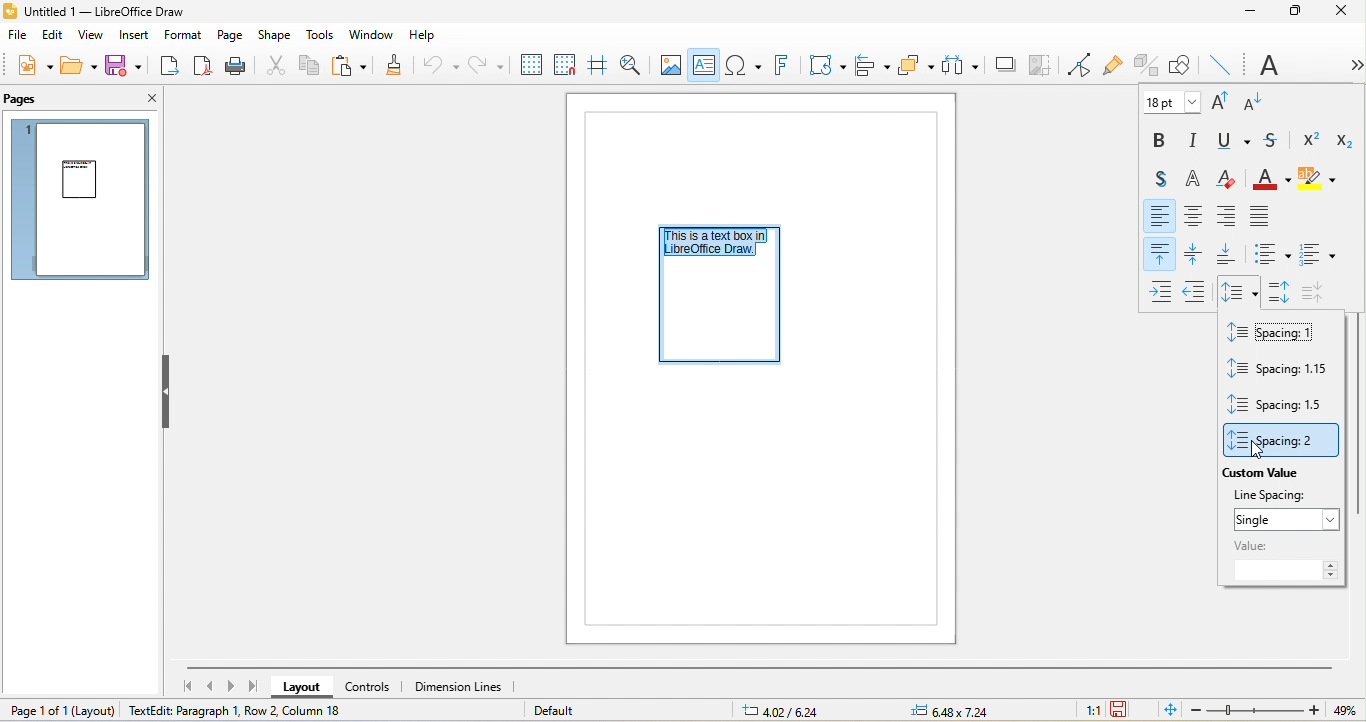 The width and height of the screenshot is (1366, 722). What do you see at coordinates (1125, 711) in the screenshot?
I see `the document has not been modified since the last save` at bounding box center [1125, 711].